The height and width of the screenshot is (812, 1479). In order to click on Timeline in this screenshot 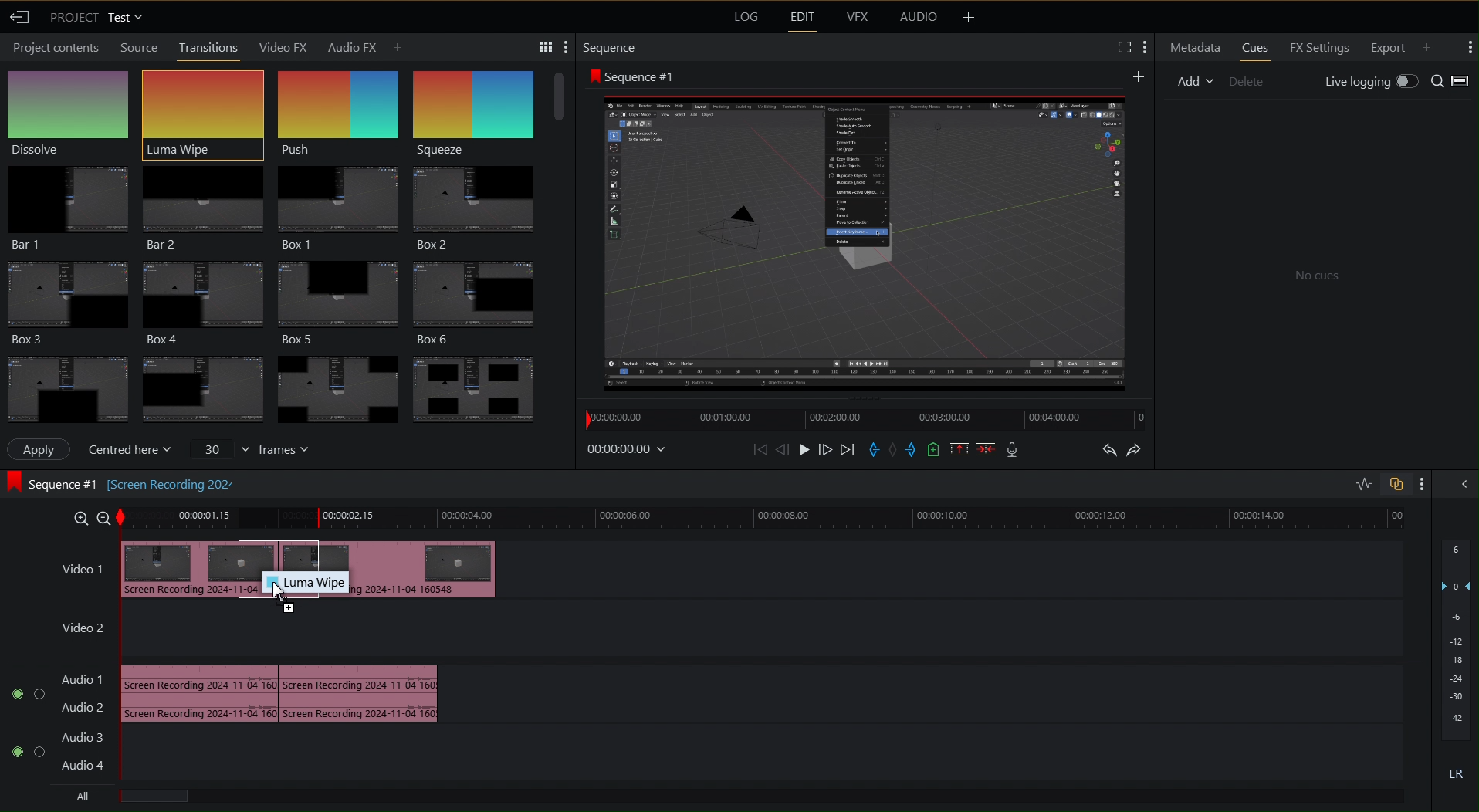, I will do `click(863, 419)`.